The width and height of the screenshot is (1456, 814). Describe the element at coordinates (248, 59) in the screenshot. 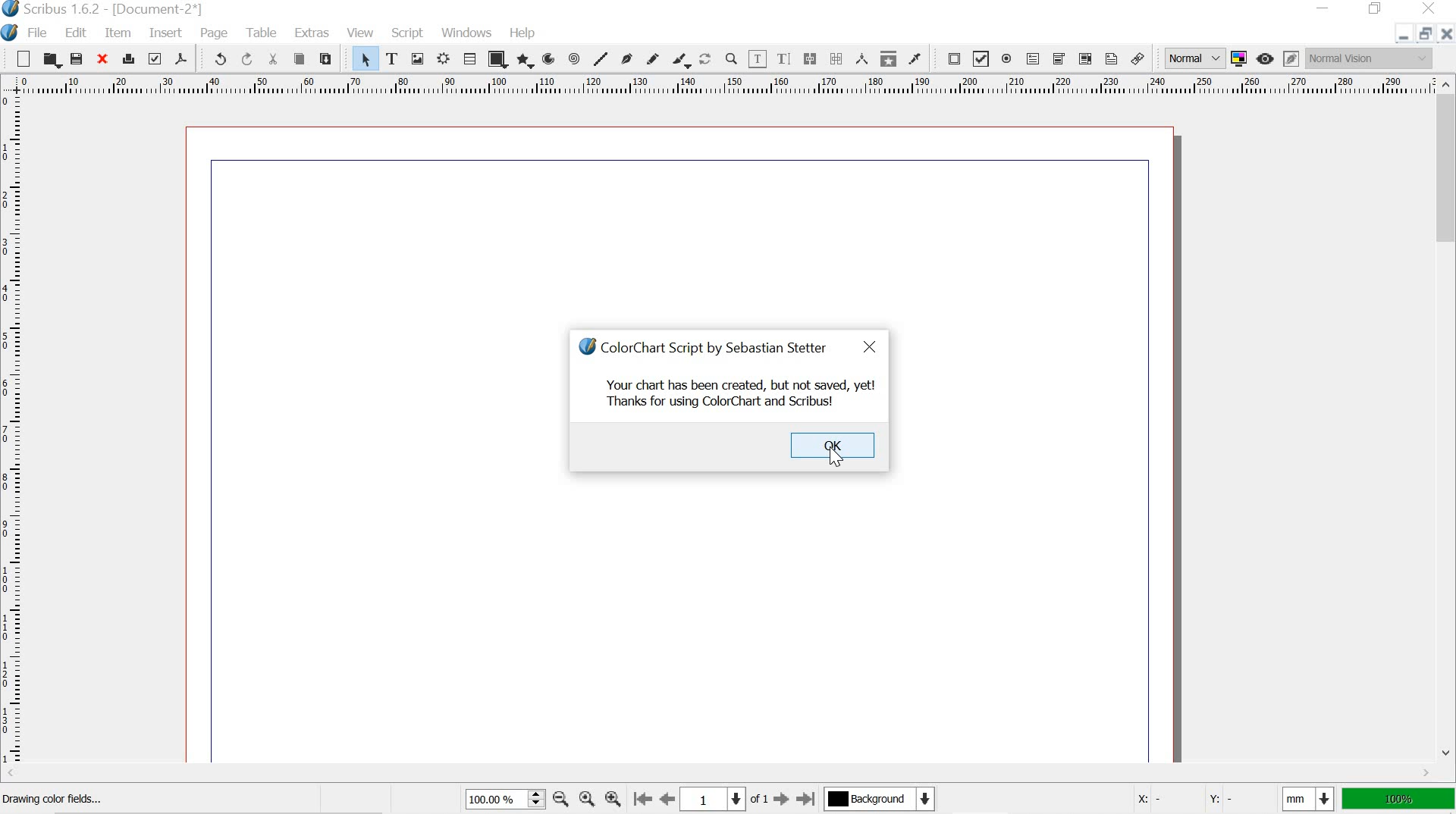

I see `redo` at that location.